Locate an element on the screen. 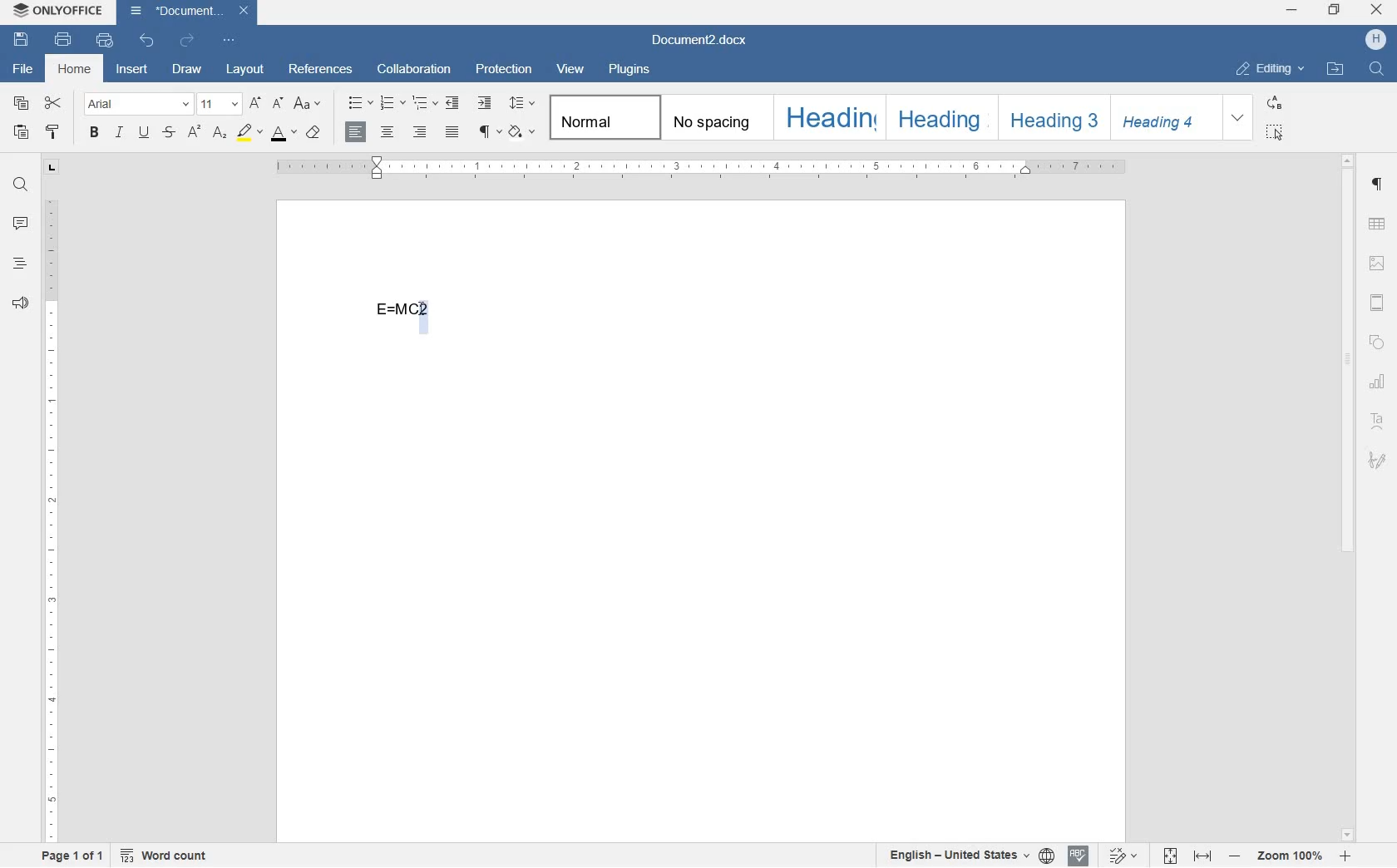 This screenshot has height=868, width=1397. replace is located at coordinates (1276, 104).